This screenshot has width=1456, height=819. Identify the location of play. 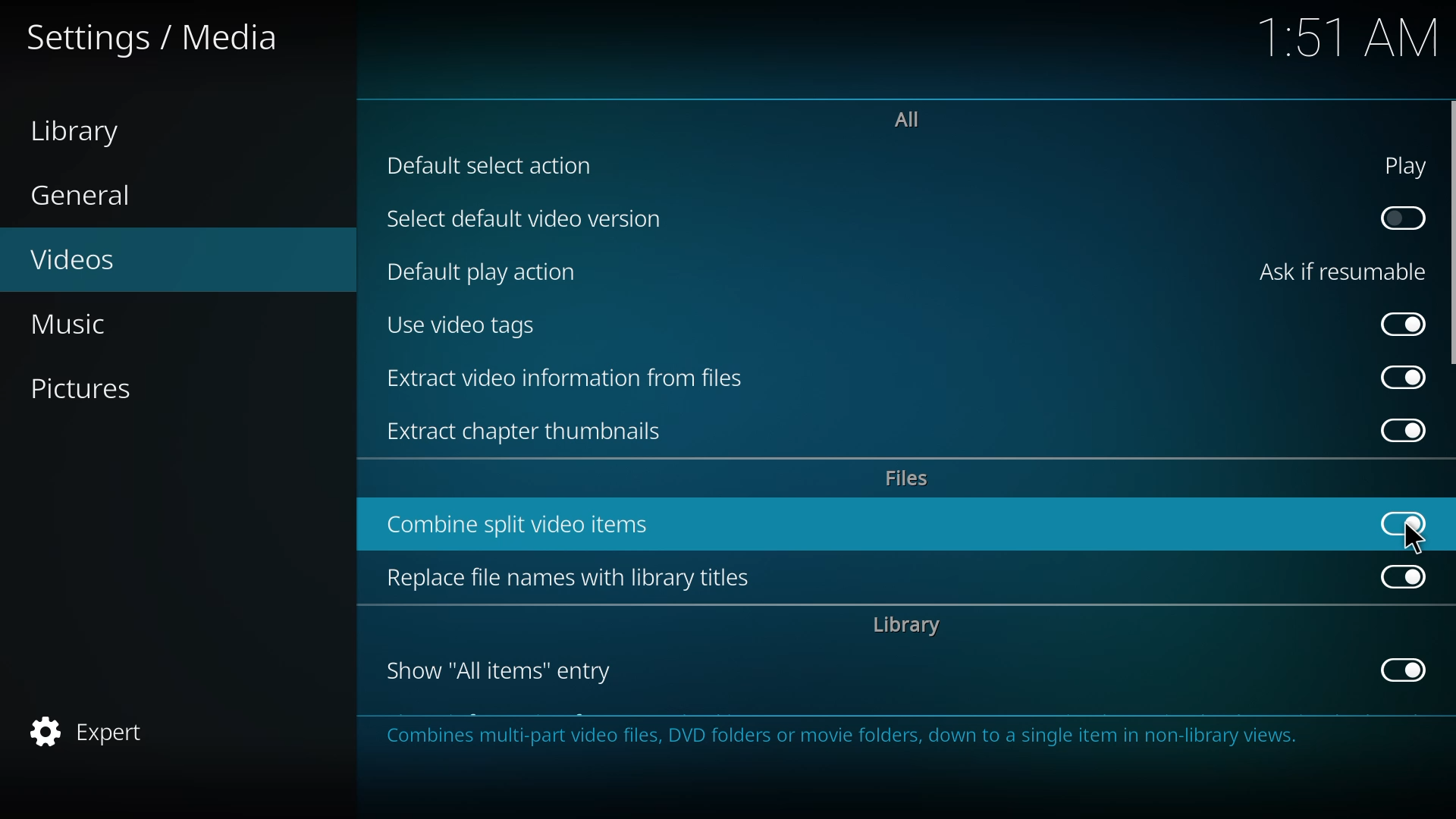
(1397, 166).